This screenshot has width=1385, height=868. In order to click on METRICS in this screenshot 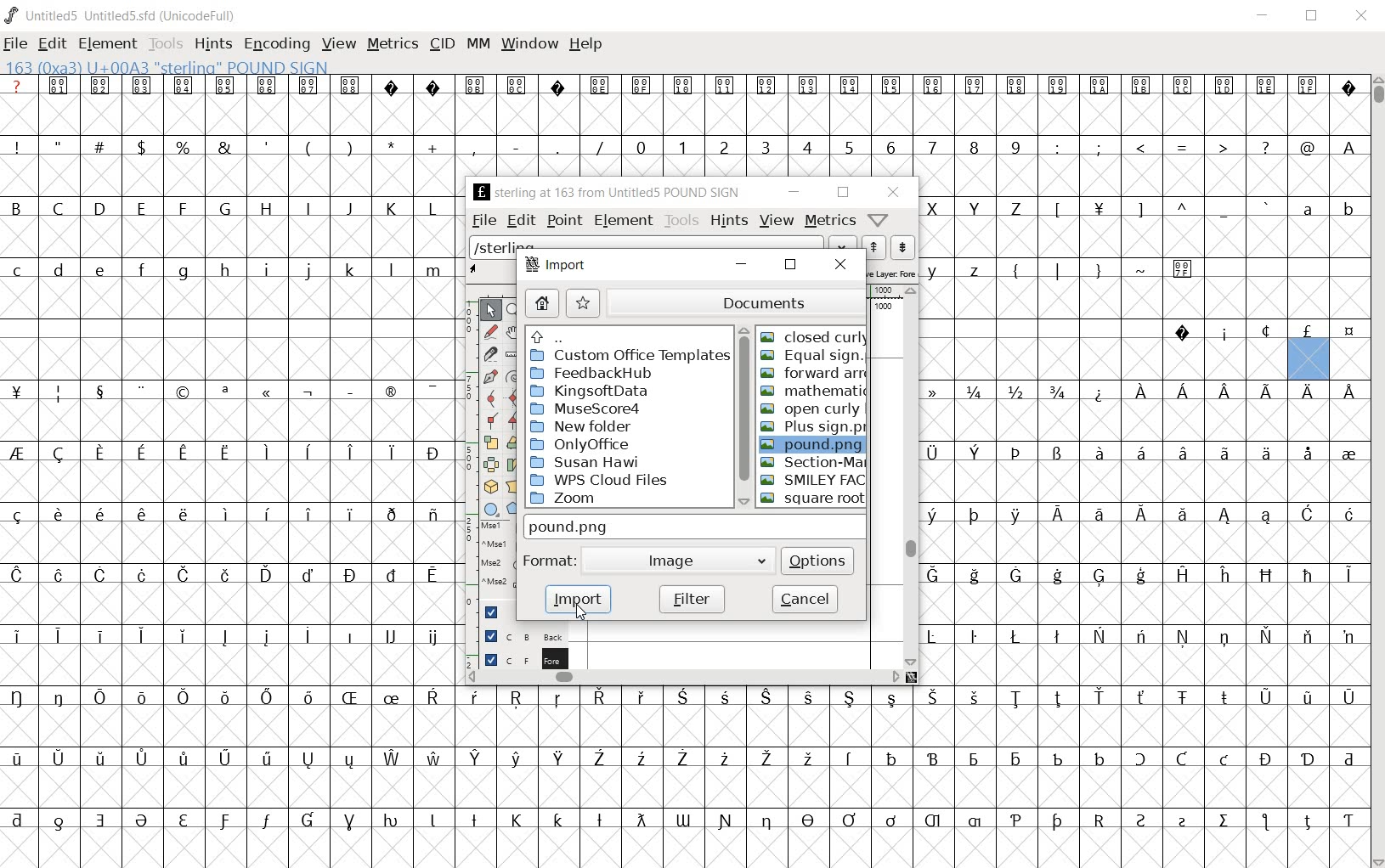, I will do `click(391, 46)`.